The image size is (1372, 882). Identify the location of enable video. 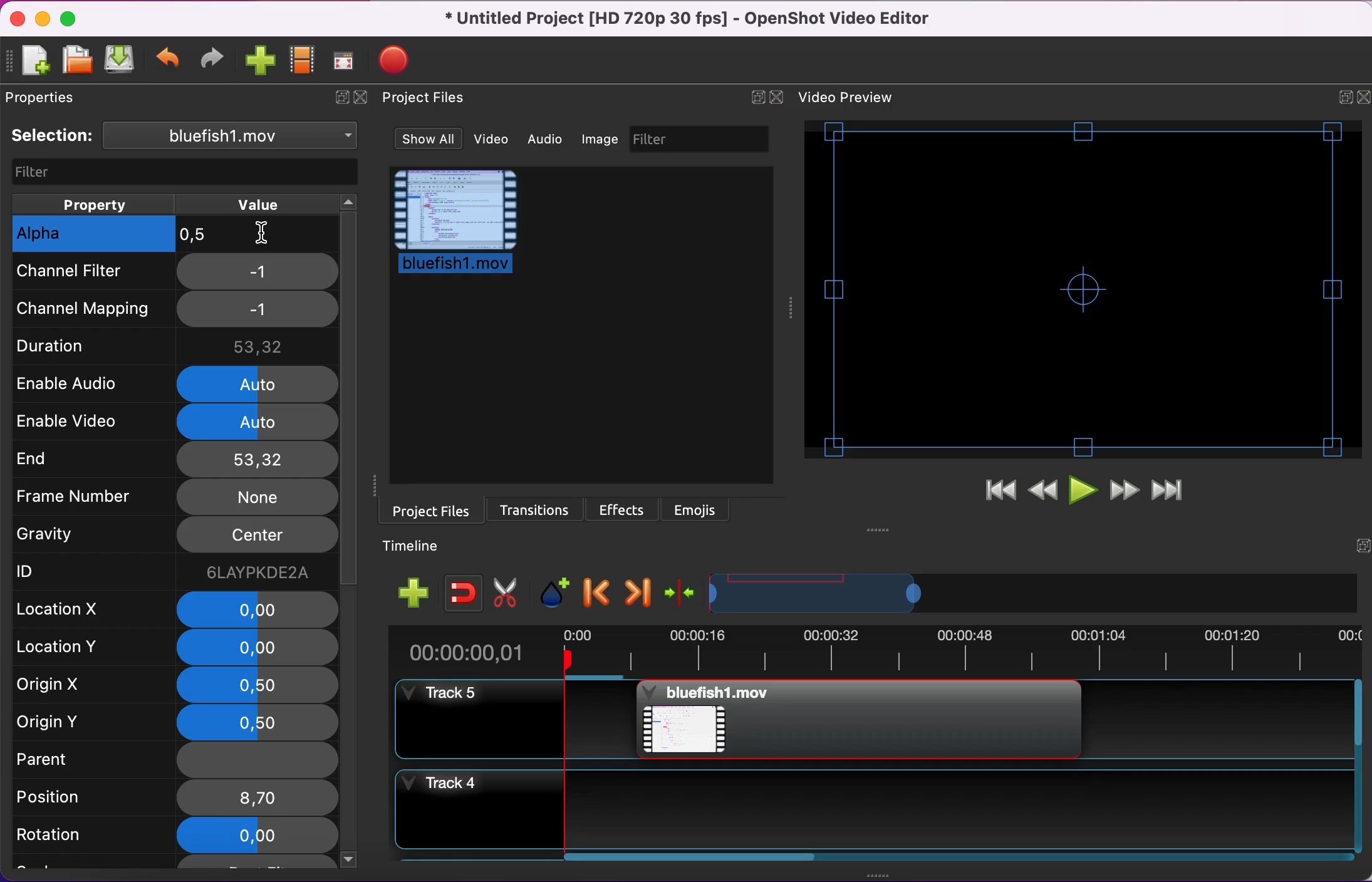
(89, 420).